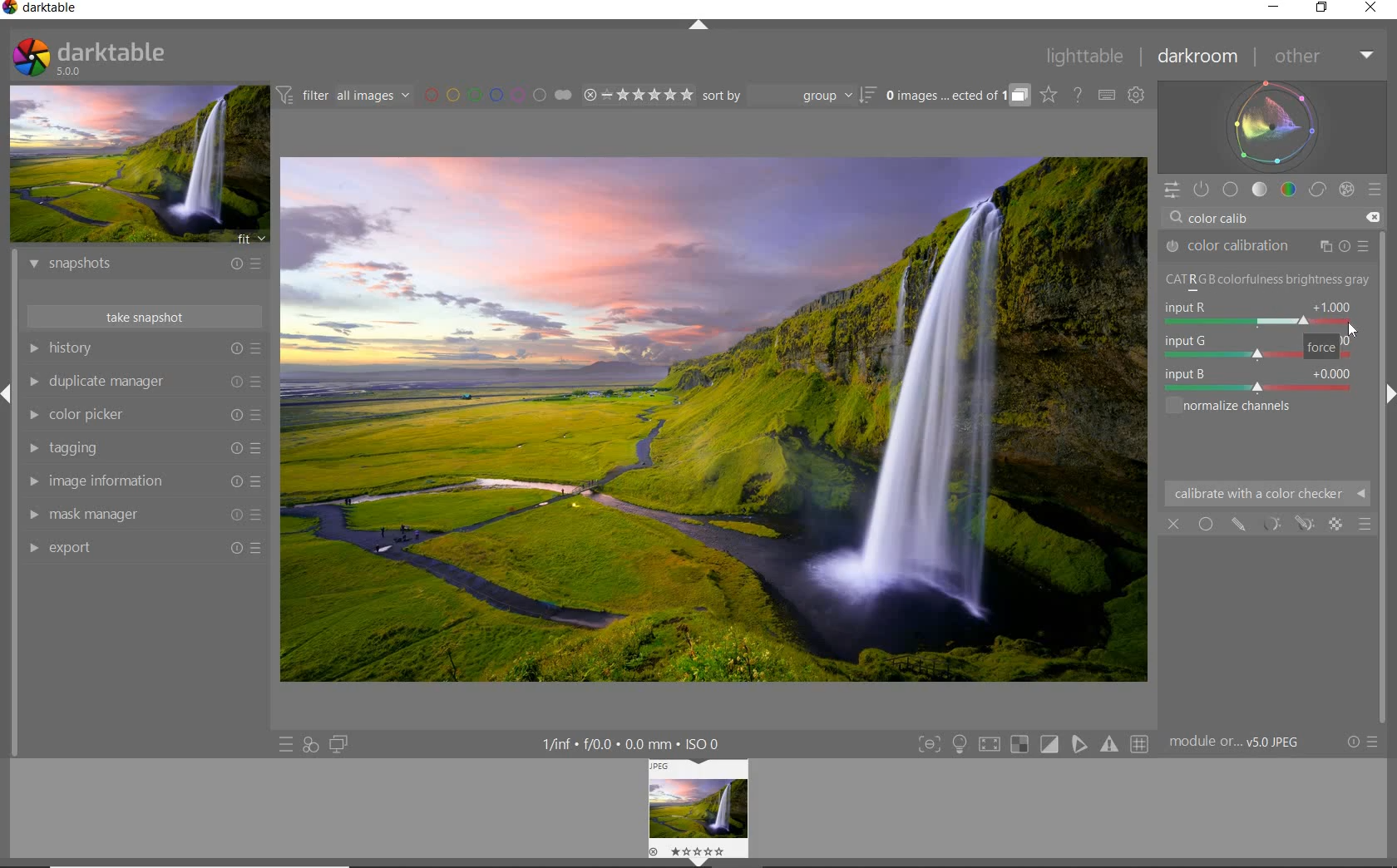 The height and width of the screenshot is (868, 1397). What do you see at coordinates (1255, 346) in the screenshot?
I see `INPUT G` at bounding box center [1255, 346].